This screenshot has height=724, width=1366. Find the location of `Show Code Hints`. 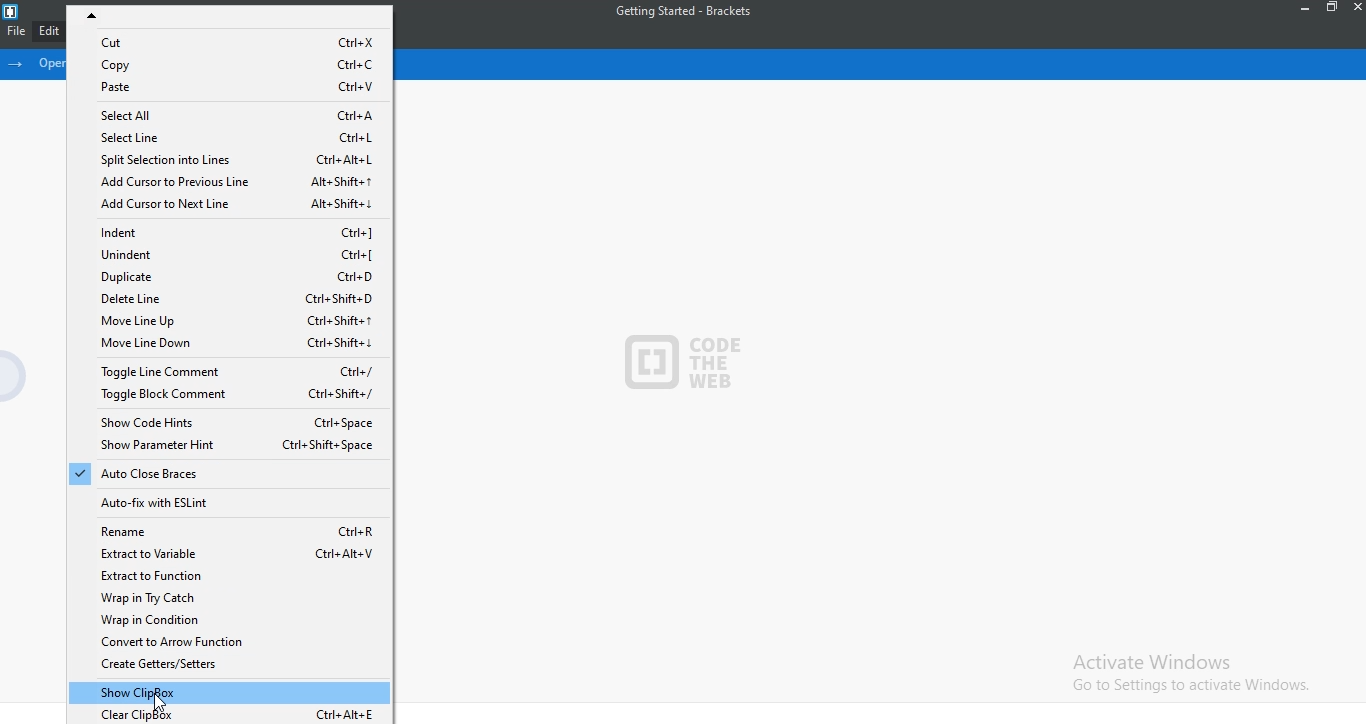

Show Code Hints is located at coordinates (223, 425).